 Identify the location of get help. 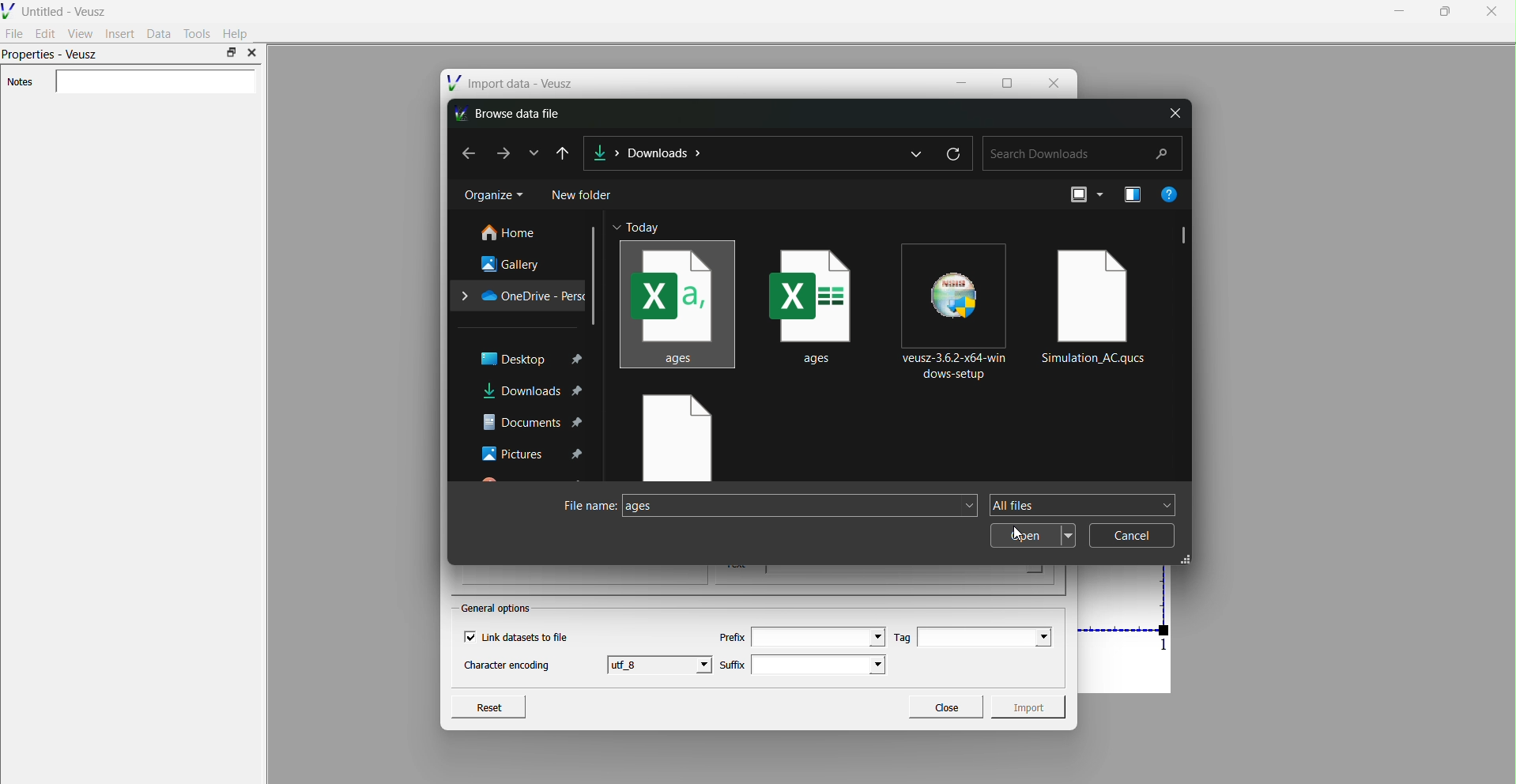
(1168, 194).